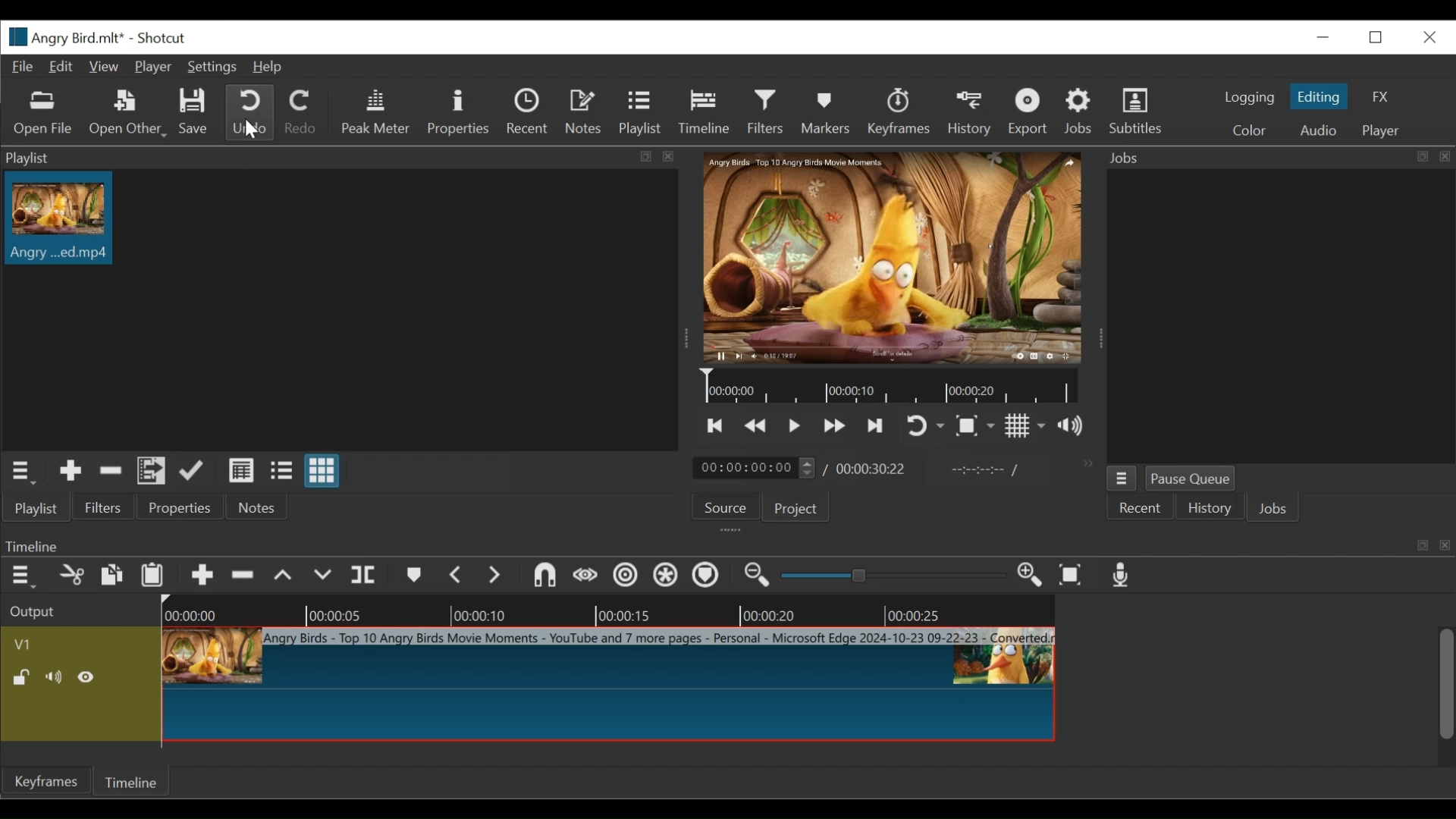 This screenshot has width=1456, height=819. I want to click on snap, so click(544, 575).